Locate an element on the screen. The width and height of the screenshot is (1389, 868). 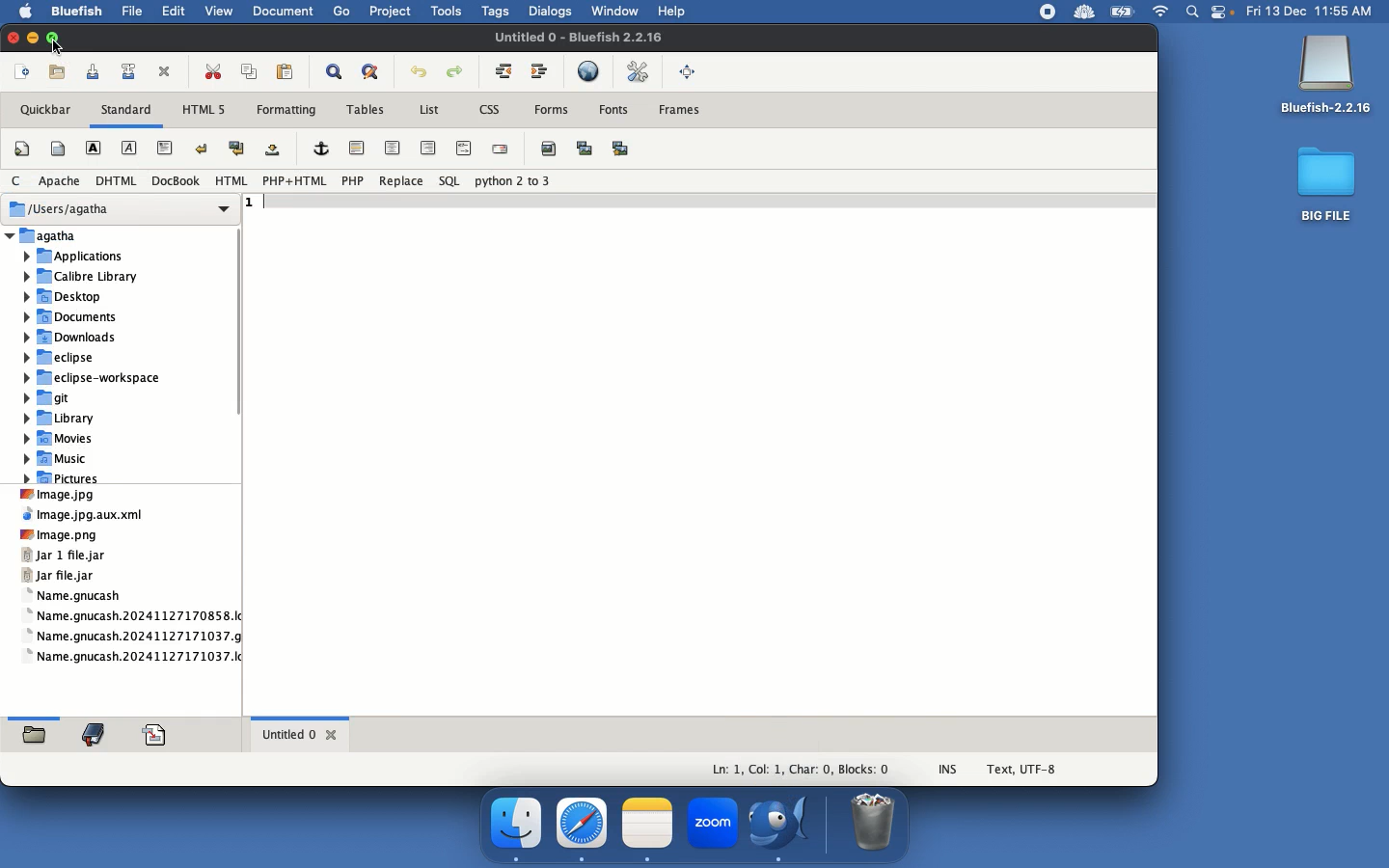
PHP is located at coordinates (355, 180).